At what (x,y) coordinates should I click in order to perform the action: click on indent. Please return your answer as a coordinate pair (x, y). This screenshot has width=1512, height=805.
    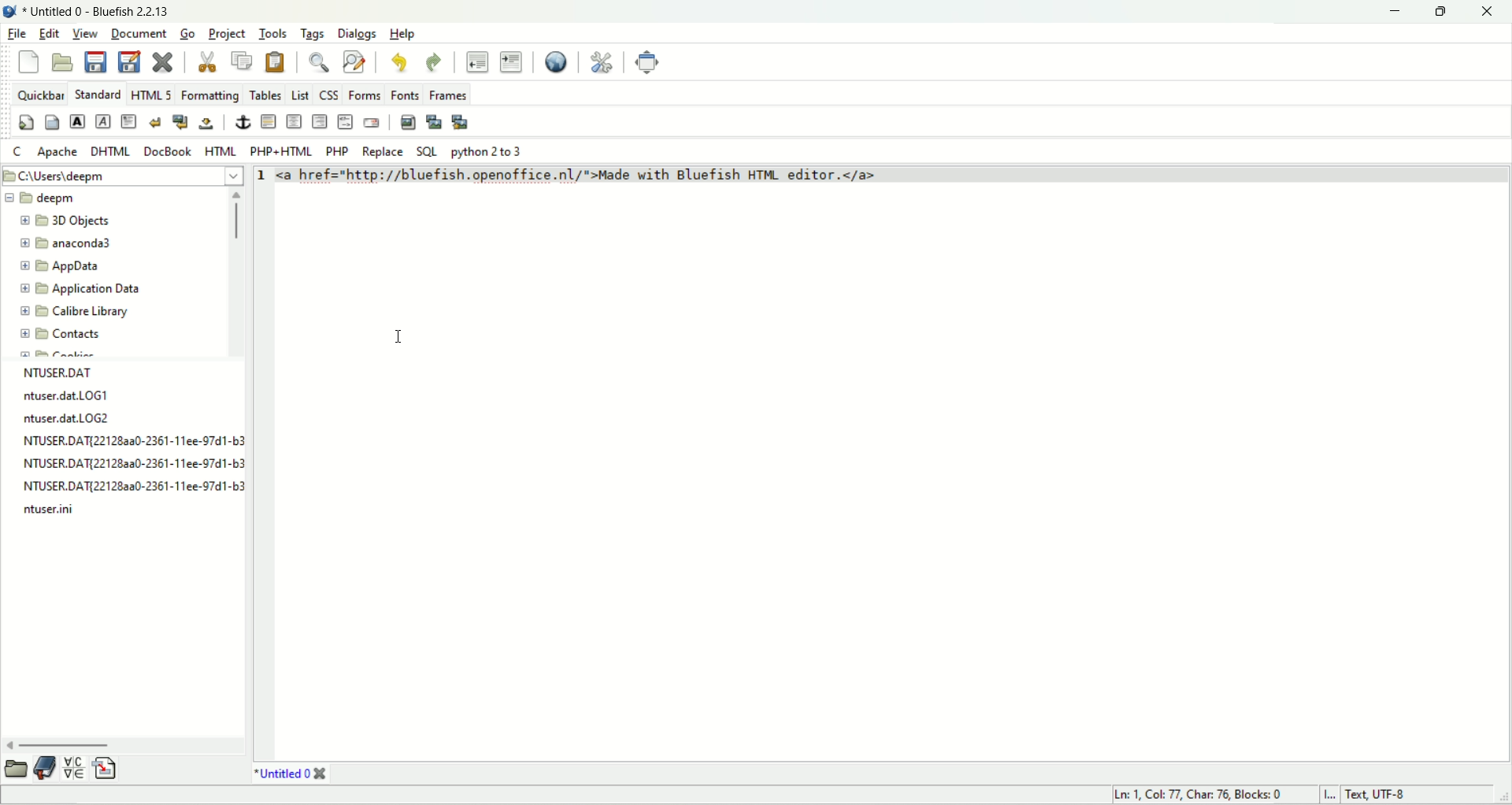
    Looking at the image, I should click on (512, 62).